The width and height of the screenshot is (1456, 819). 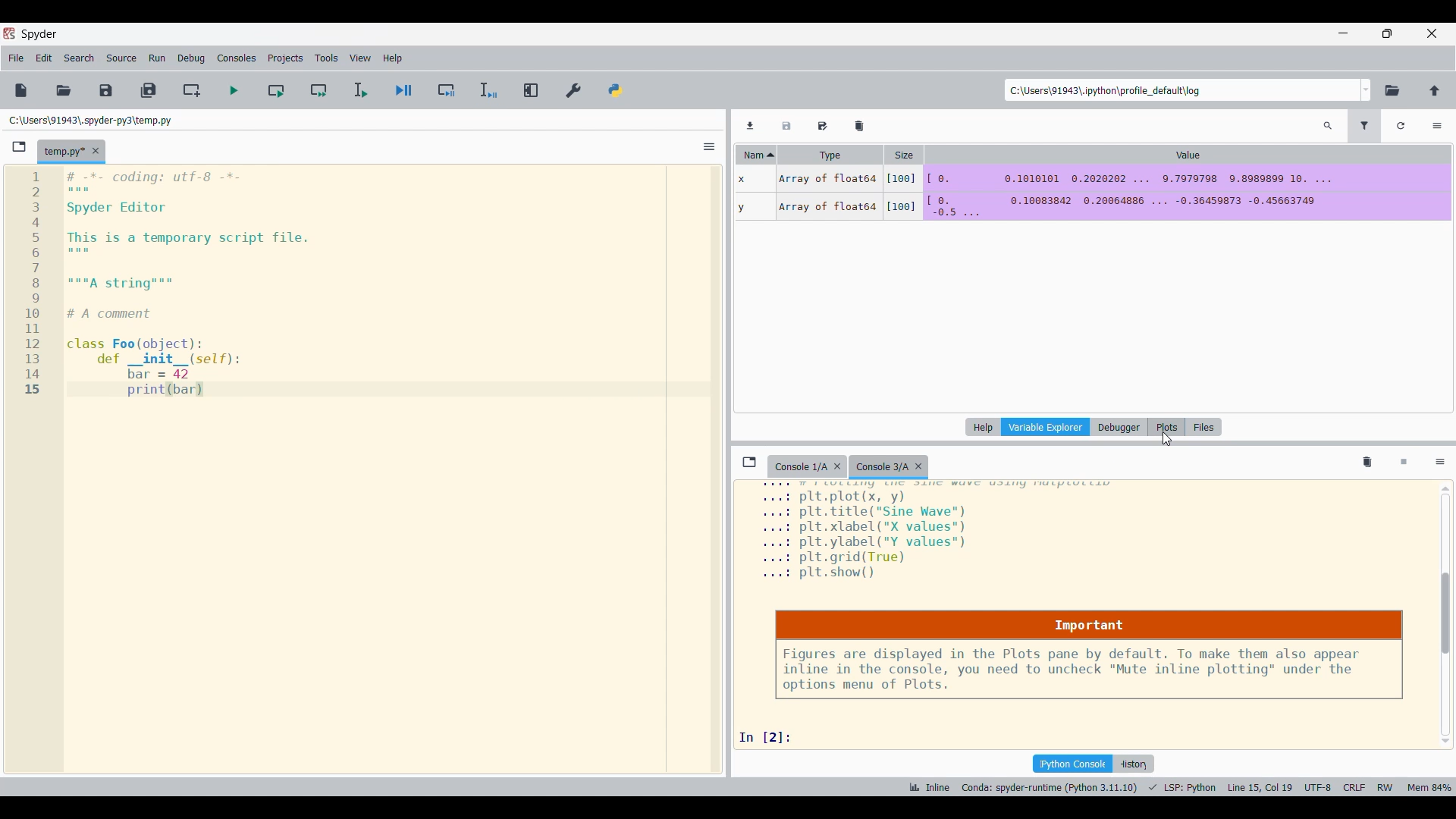 I want to click on Save file, so click(x=106, y=91).